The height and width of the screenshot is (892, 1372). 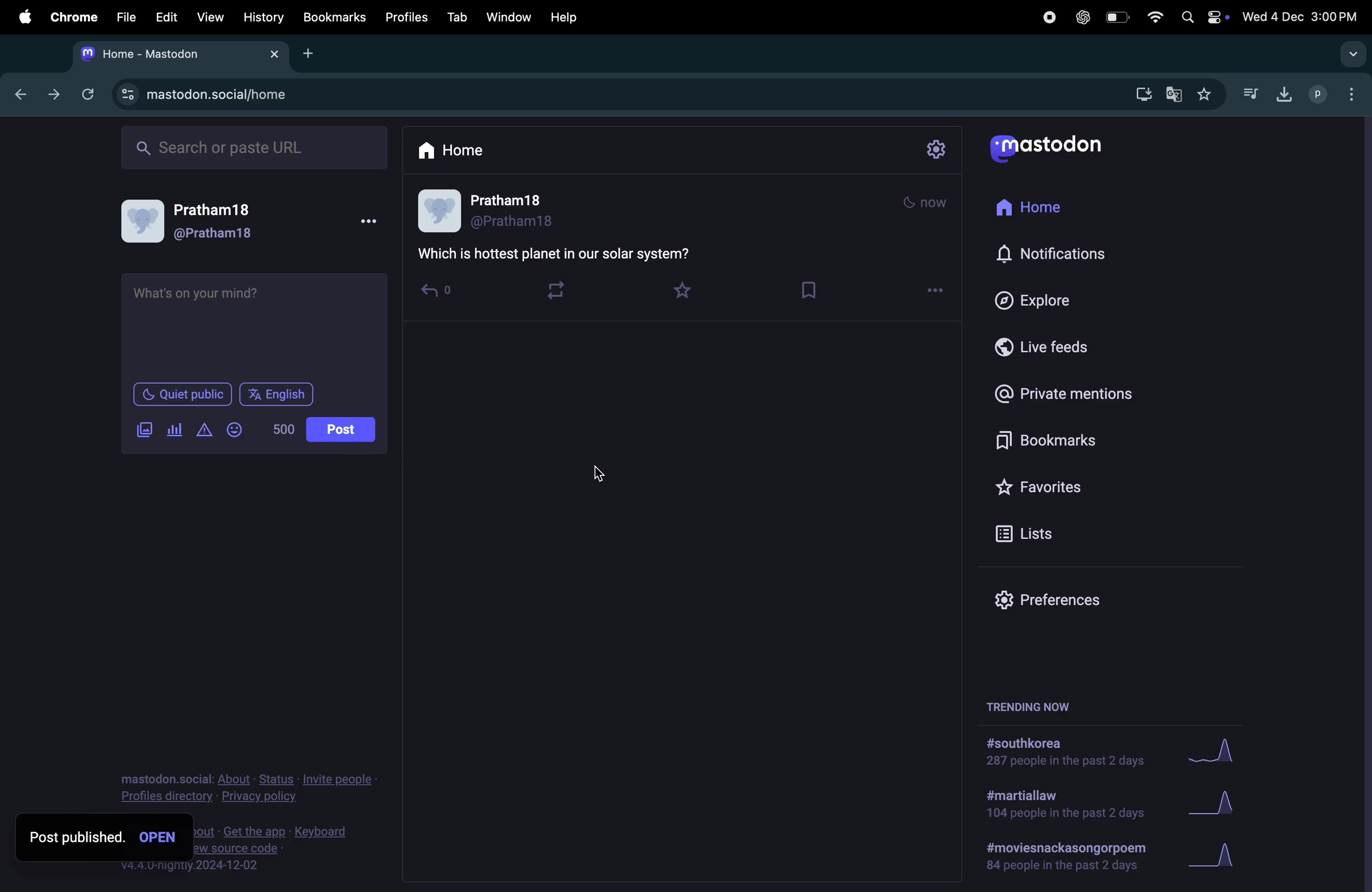 I want to click on filw, so click(x=122, y=17).